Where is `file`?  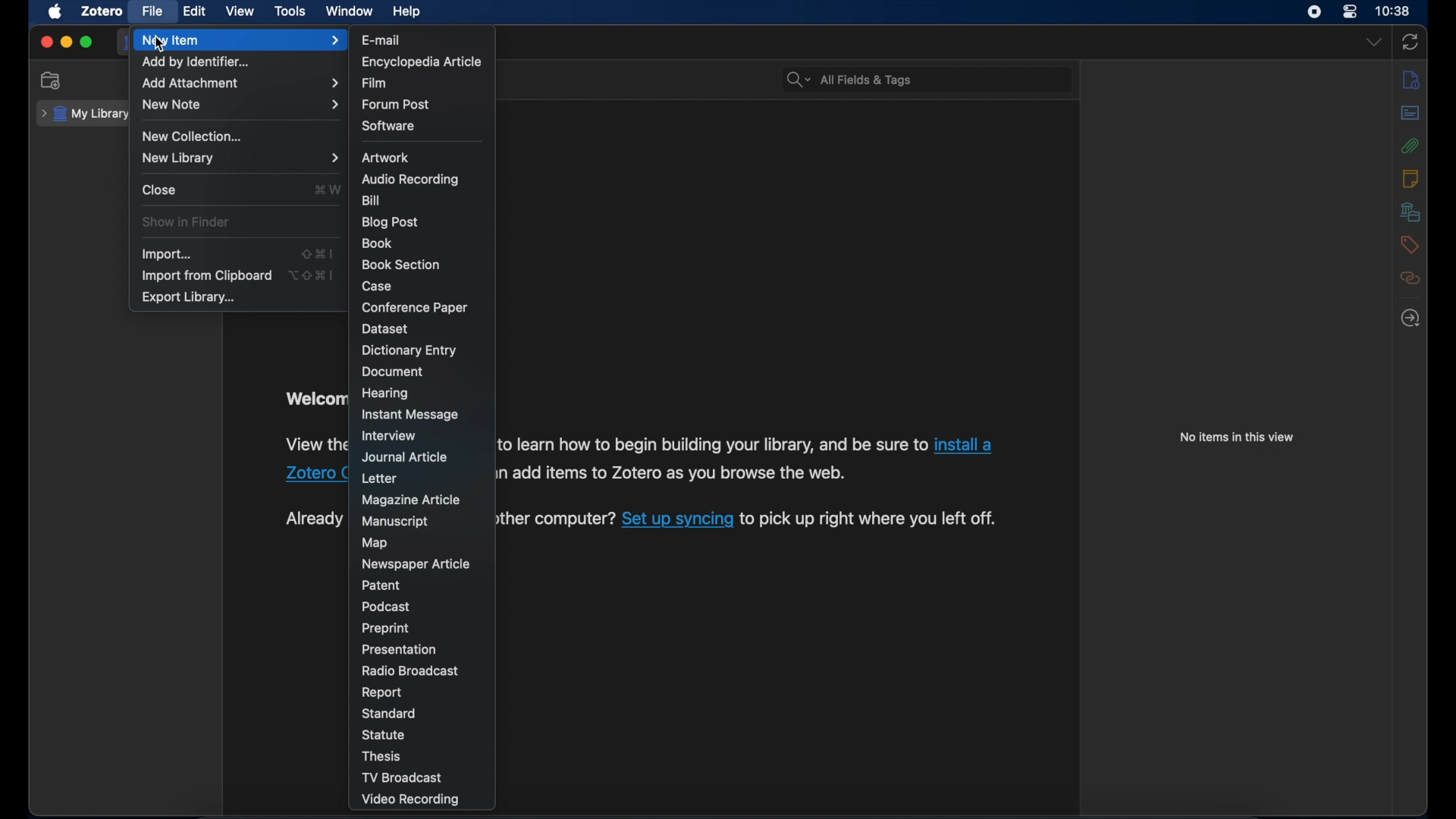
file is located at coordinates (153, 12).